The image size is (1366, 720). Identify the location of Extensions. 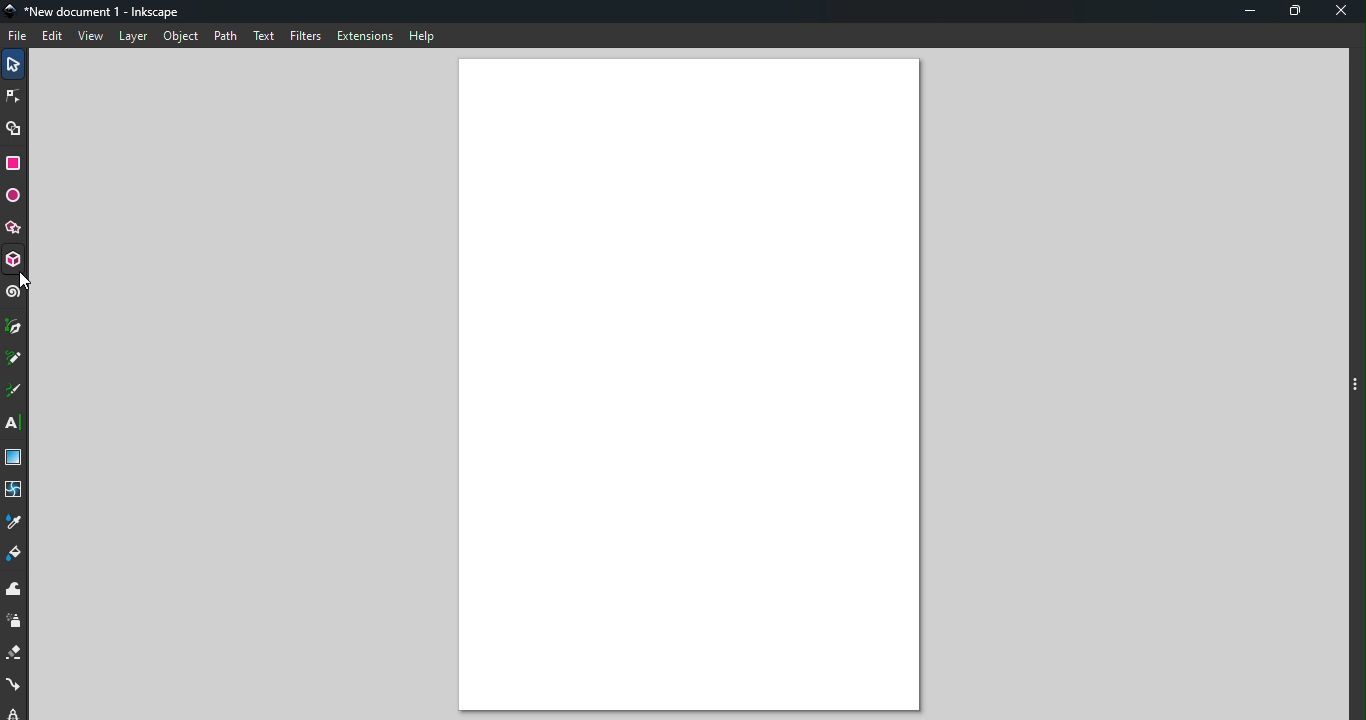
(366, 38).